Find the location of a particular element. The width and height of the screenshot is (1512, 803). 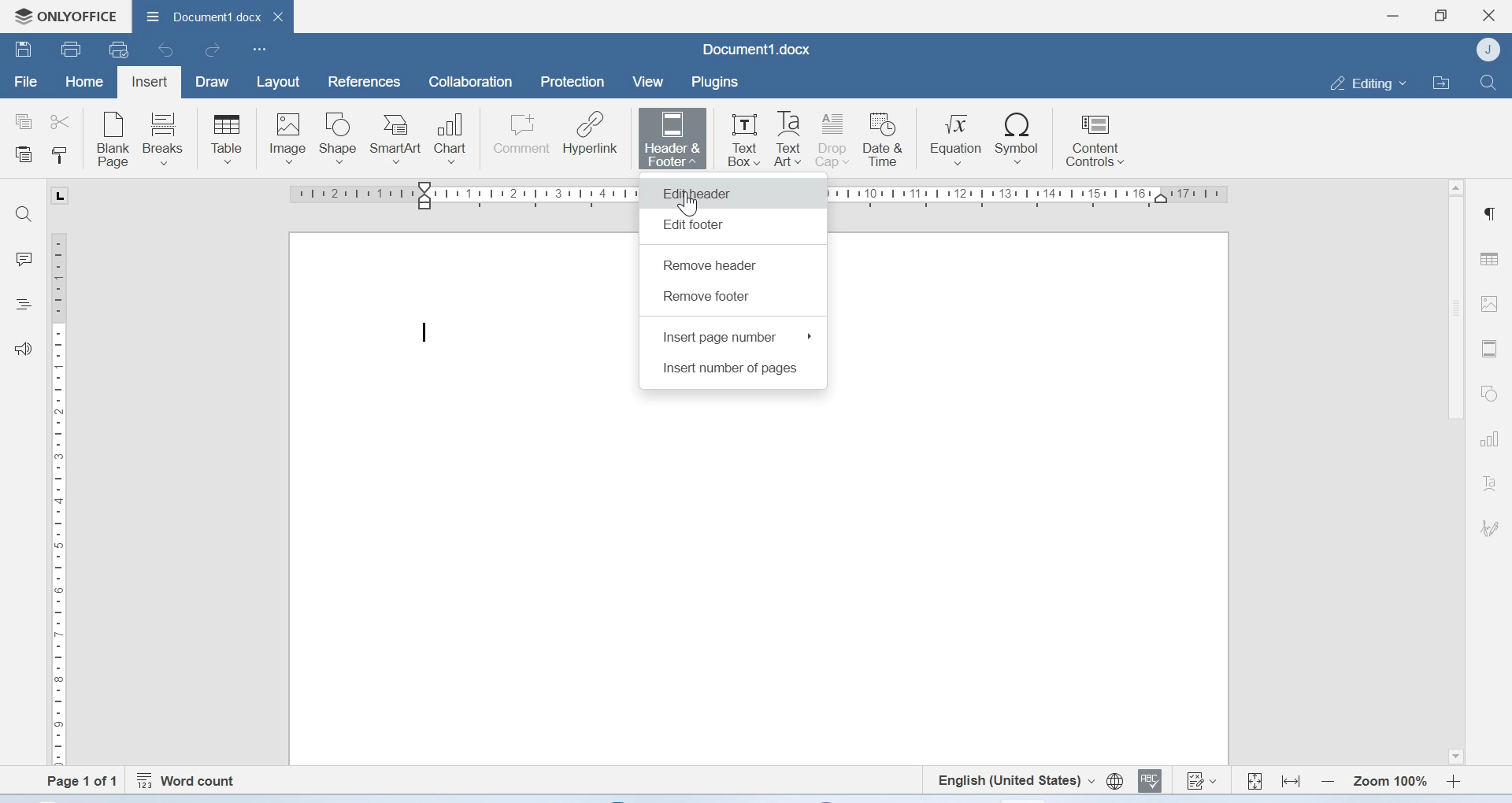

Page 1 of 1 is located at coordinates (74, 781).